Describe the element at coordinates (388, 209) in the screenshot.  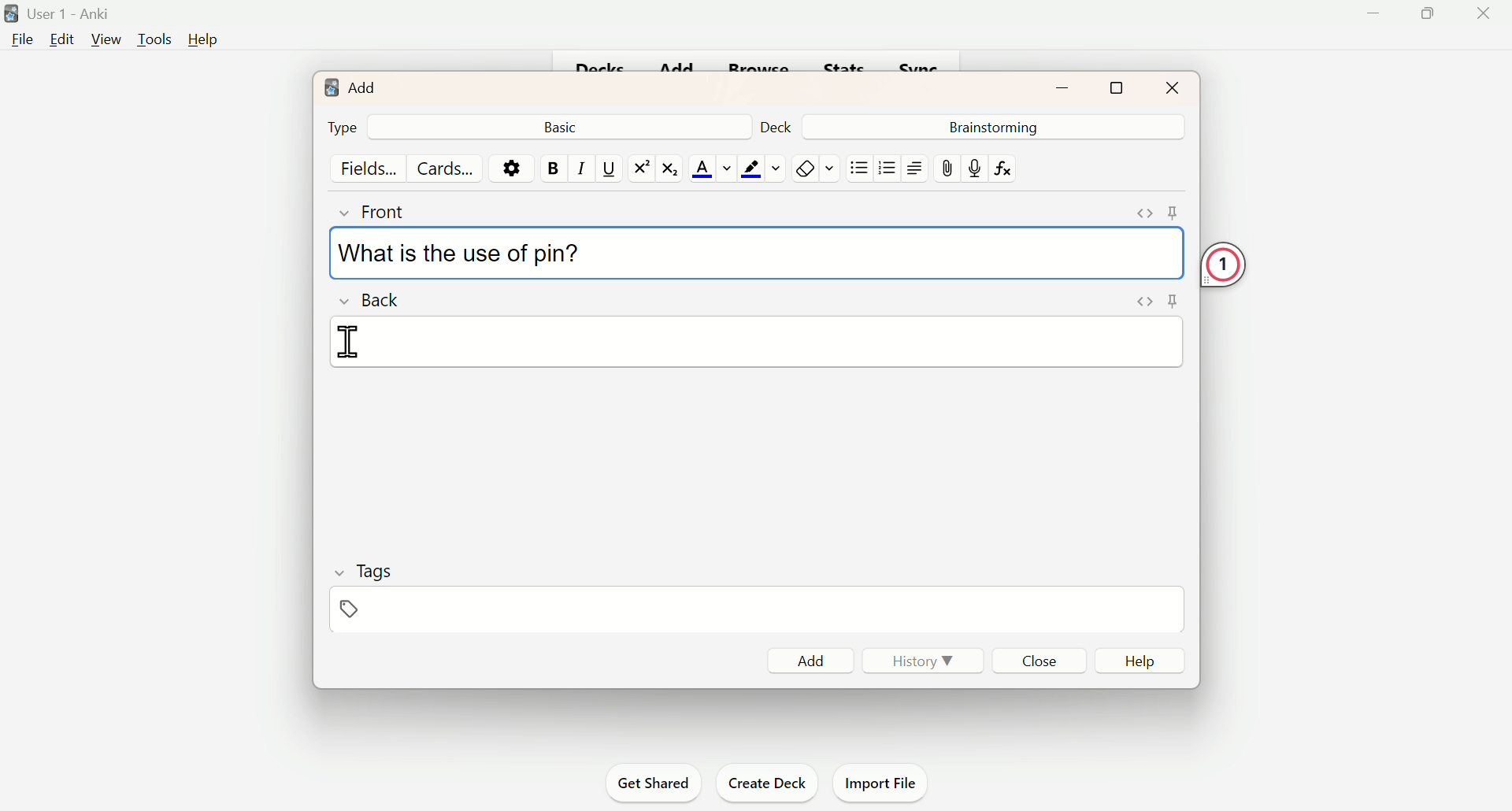
I see `Front` at that location.